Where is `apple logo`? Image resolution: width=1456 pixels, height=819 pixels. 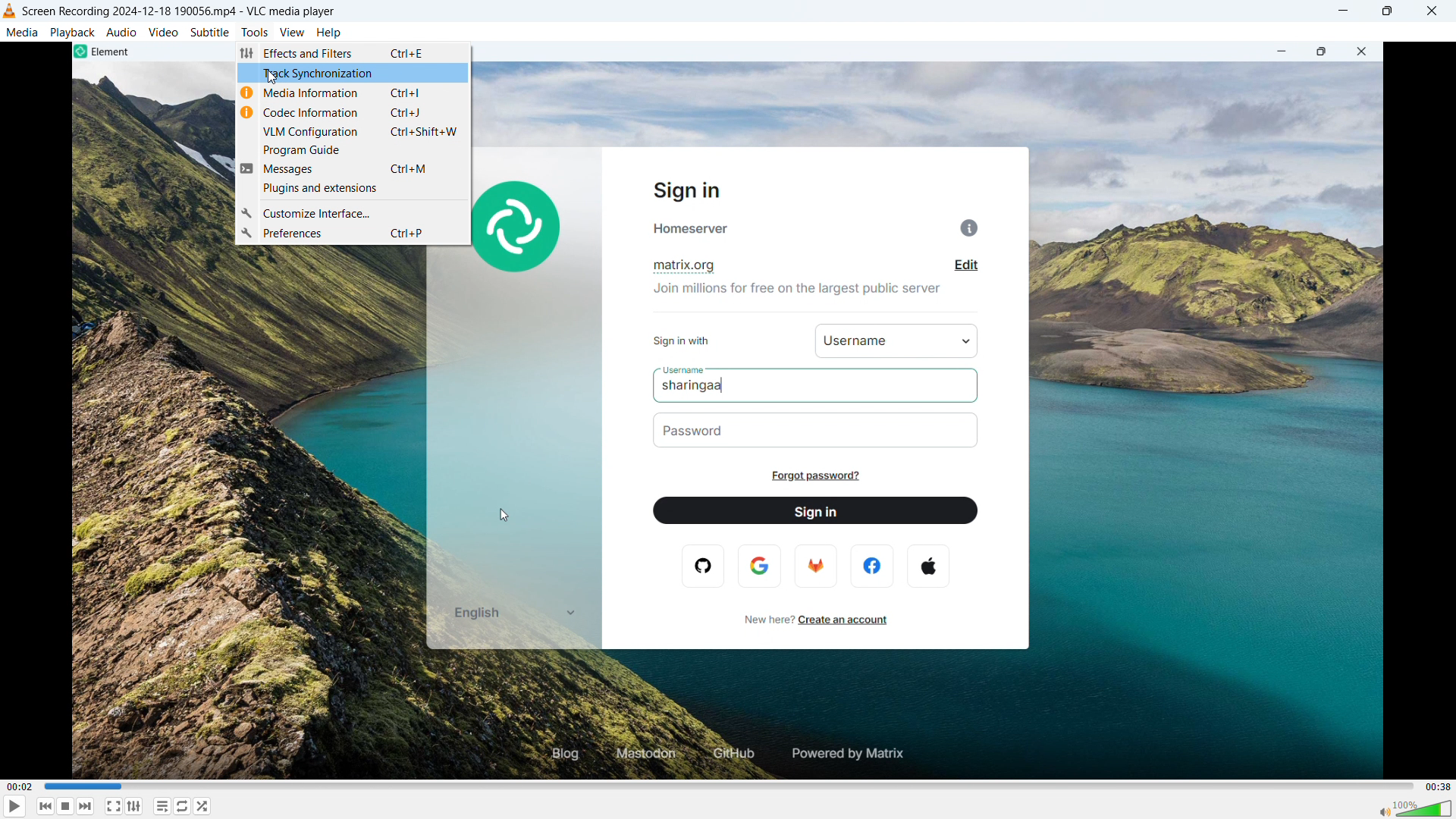
apple logo is located at coordinates (927, 566).